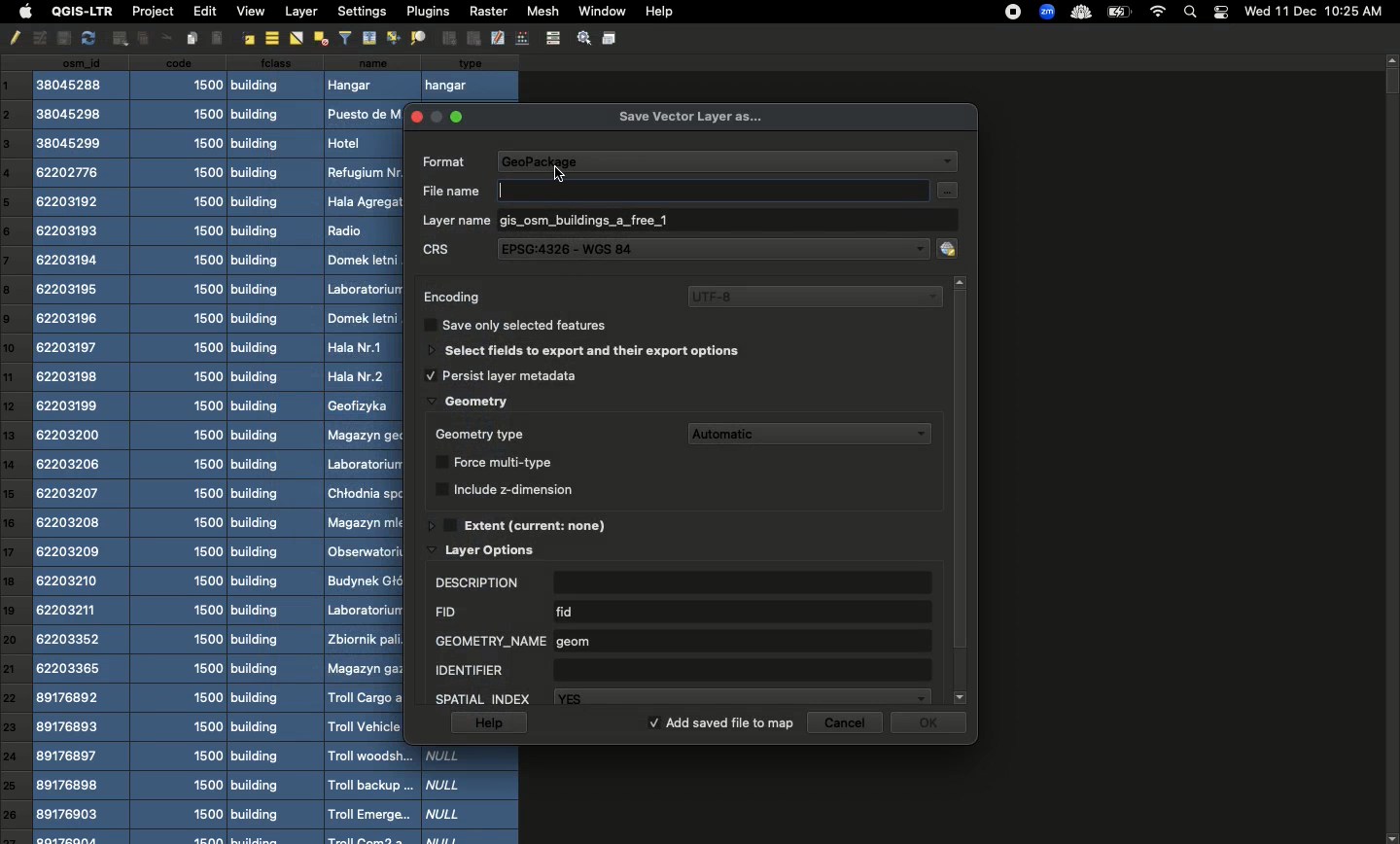 This screenshot has height=844, width=1400. I want to click on Name, so click(365, 450).